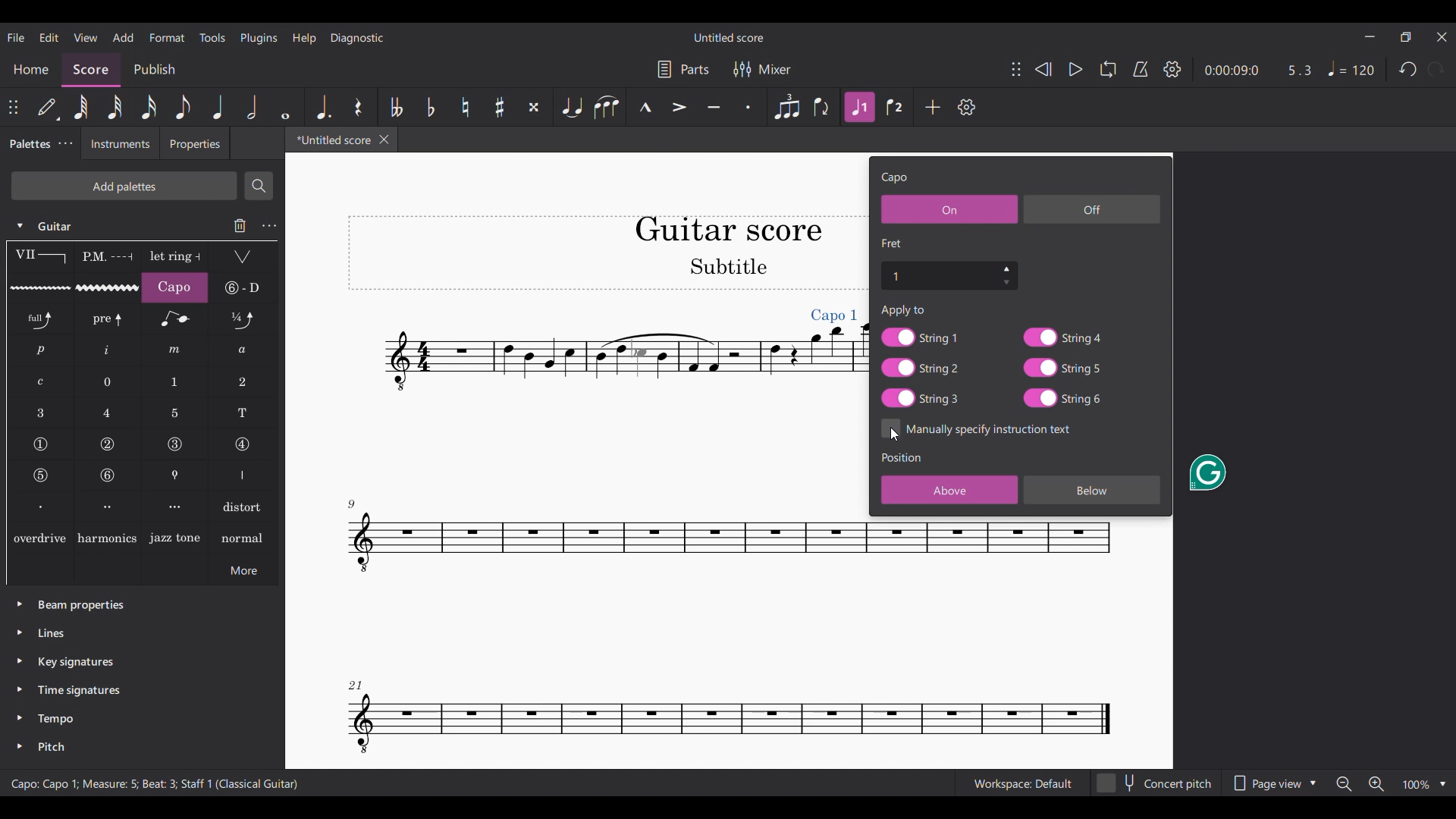  Describe the element at coordinates (108, 319) in the screenshot. I see `Pre-bend` at that location.